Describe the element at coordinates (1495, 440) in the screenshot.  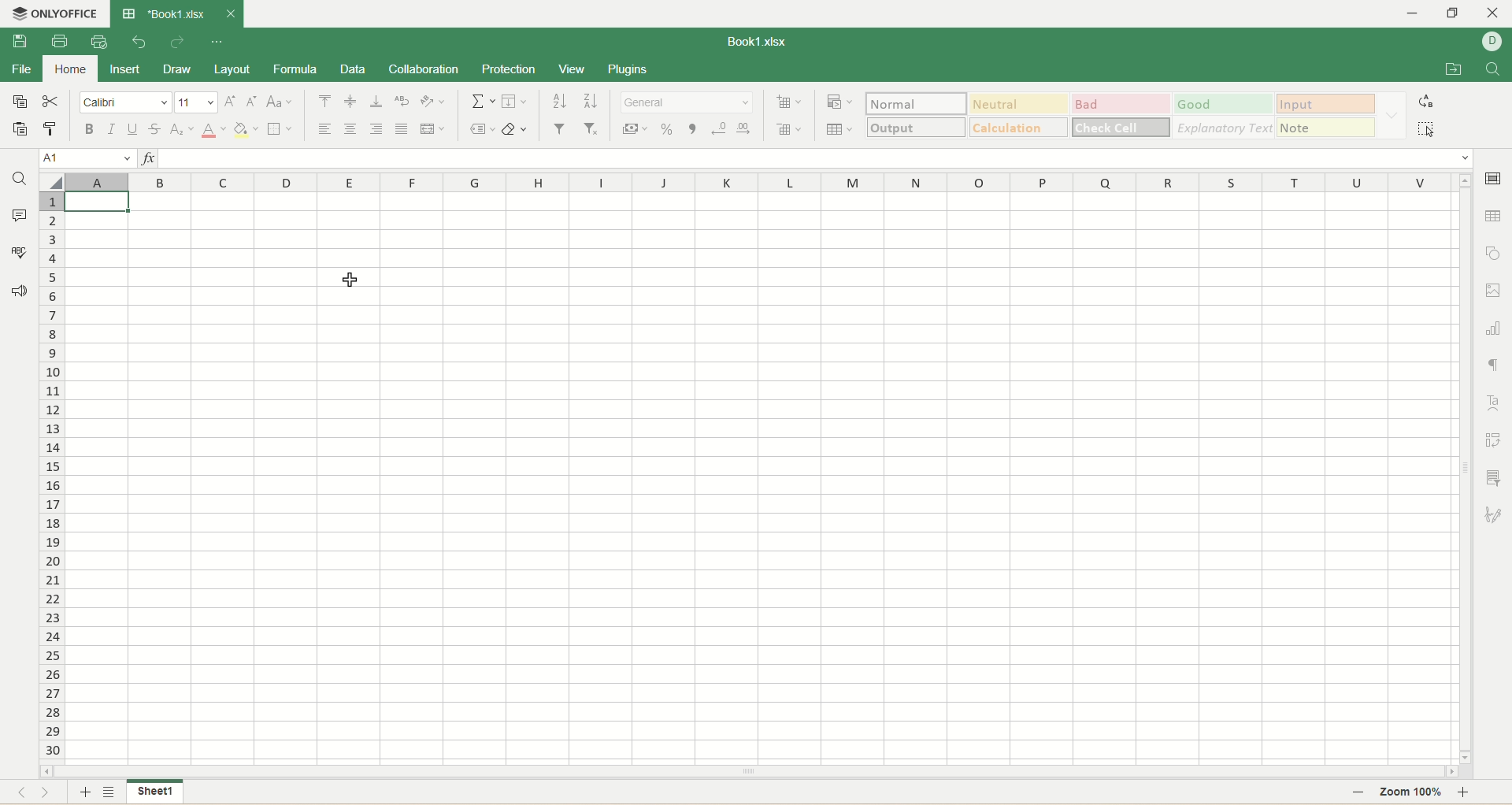
I see `pivot settings` at that location.